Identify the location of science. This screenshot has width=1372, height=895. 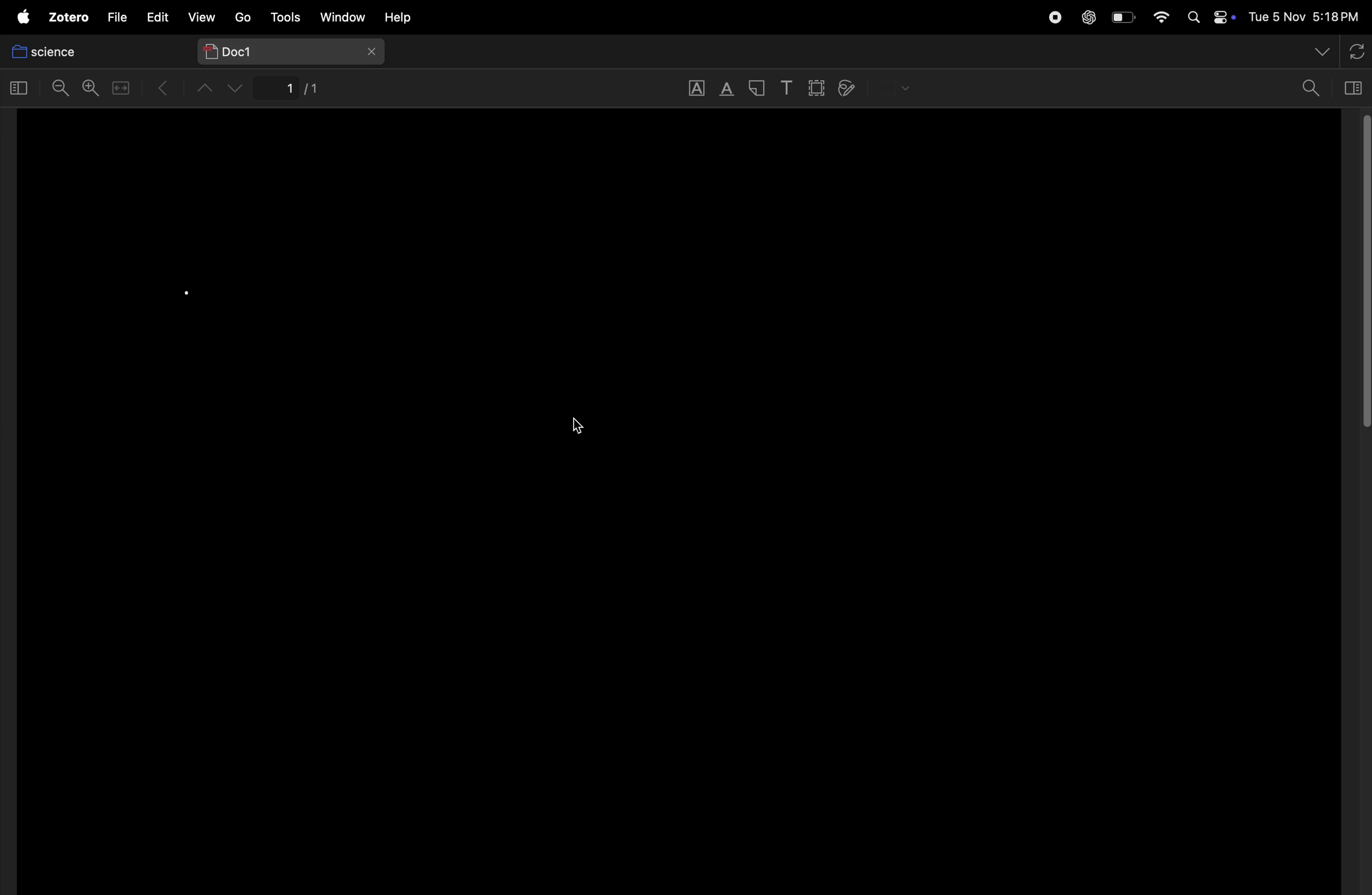
(91, 51).